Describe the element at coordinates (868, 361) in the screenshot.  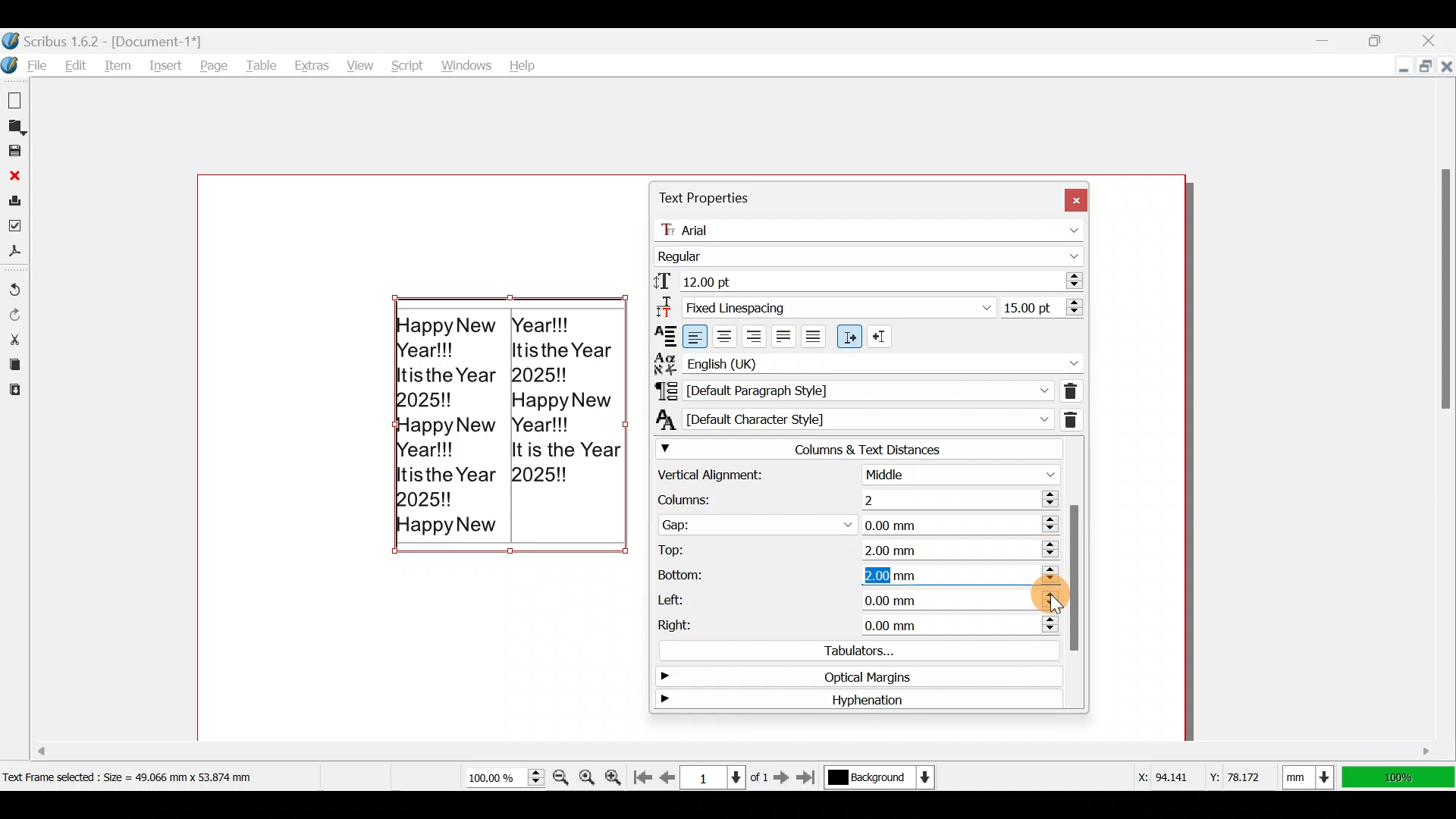
I see `Text language` at that location.